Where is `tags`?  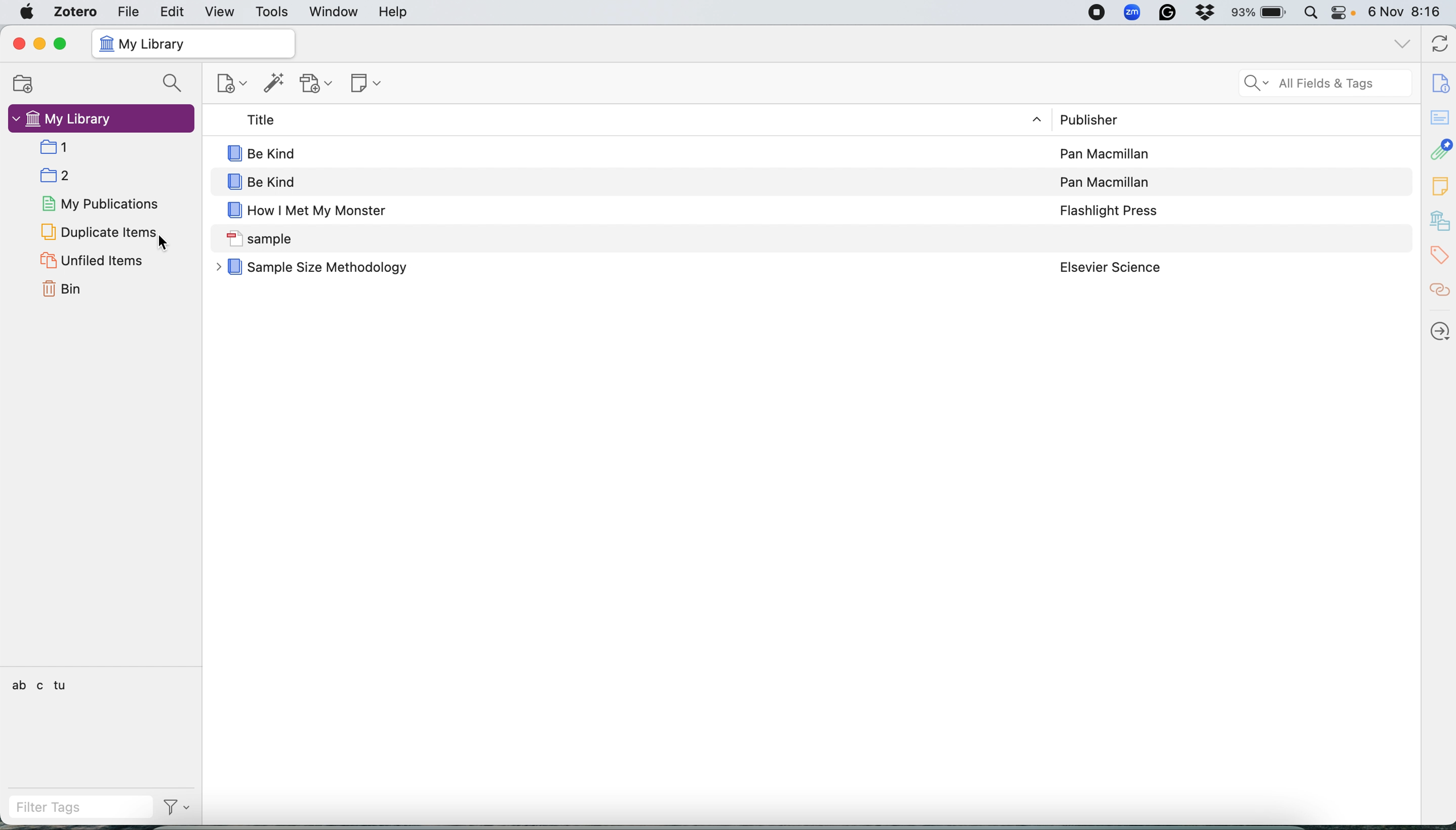 tags is located at coordinates (1439, 257).